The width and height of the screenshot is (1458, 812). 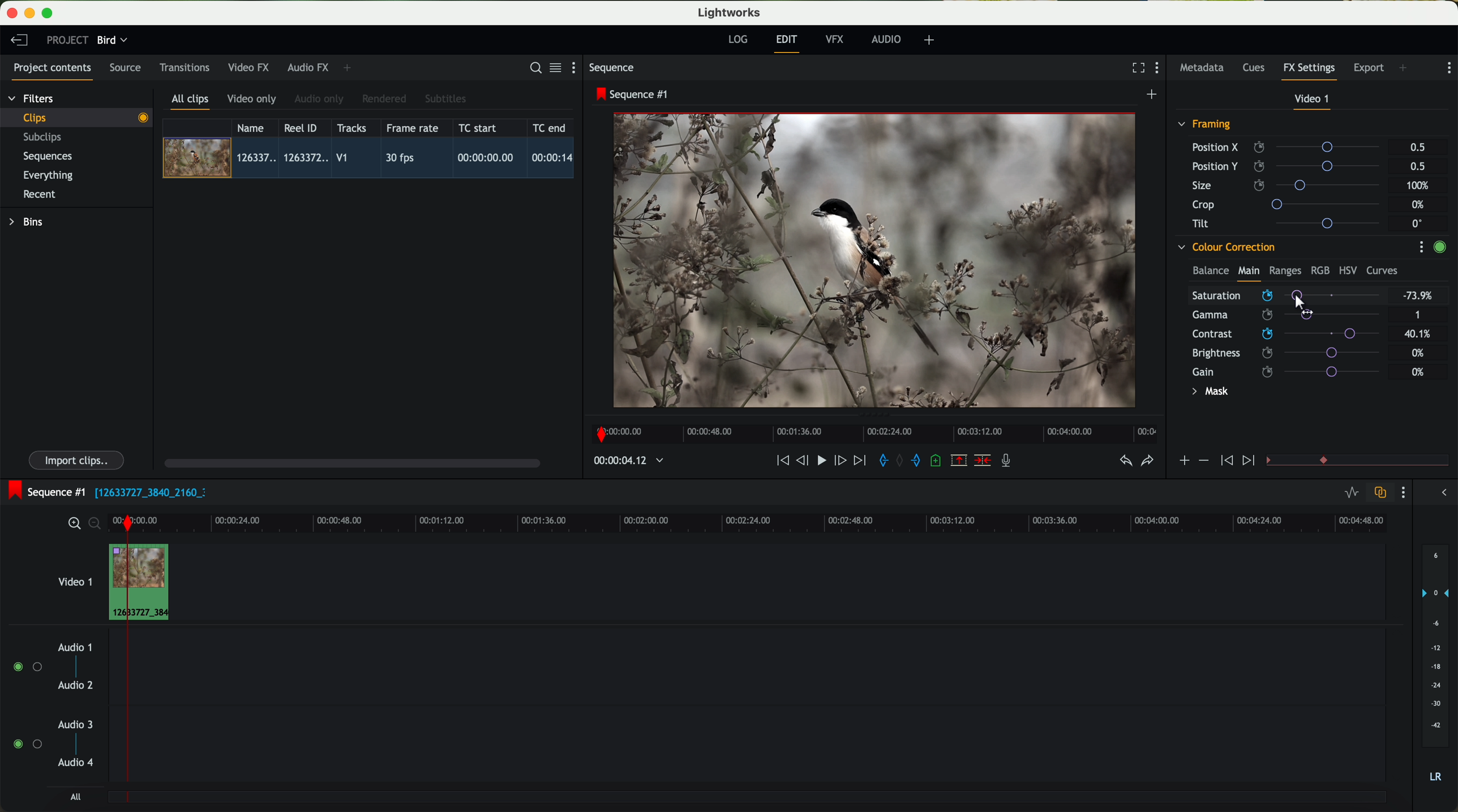 What do you see at coordinates (75, 797) in the screenshot?
I see `all` at bounding box center [75, 797].